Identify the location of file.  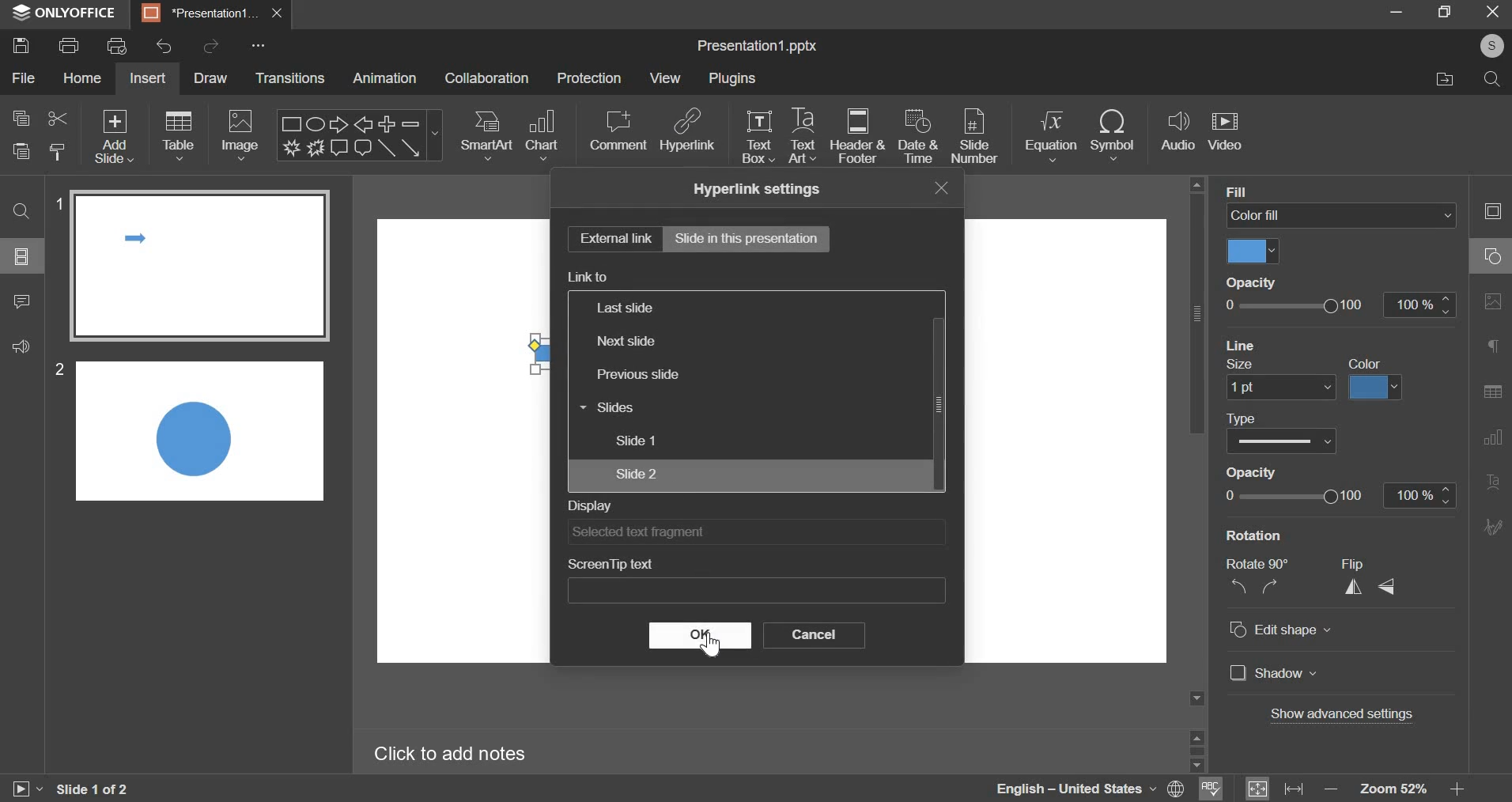
(23, 78).